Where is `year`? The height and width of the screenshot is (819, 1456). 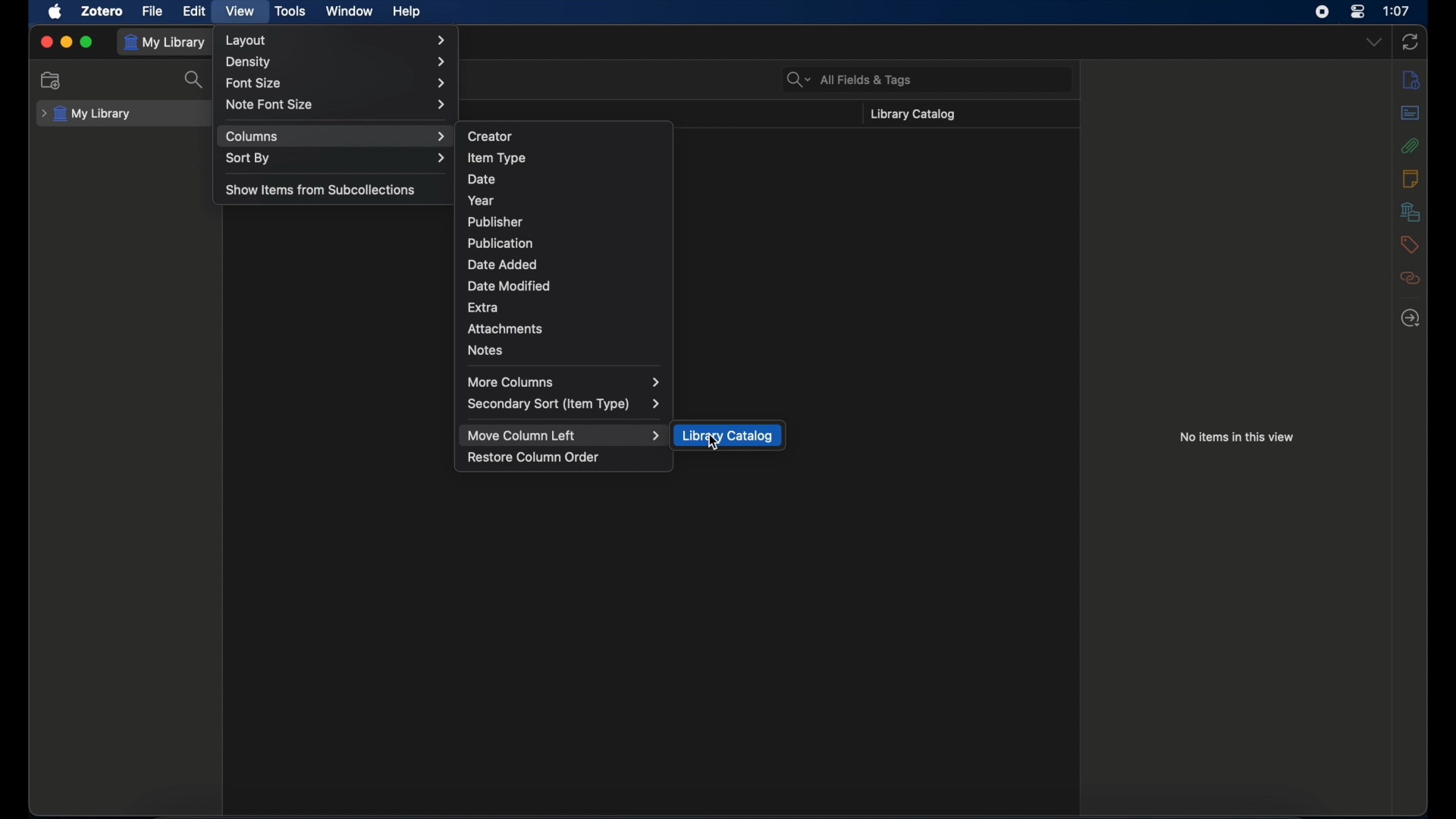 year is located at coordinates (482, 201).